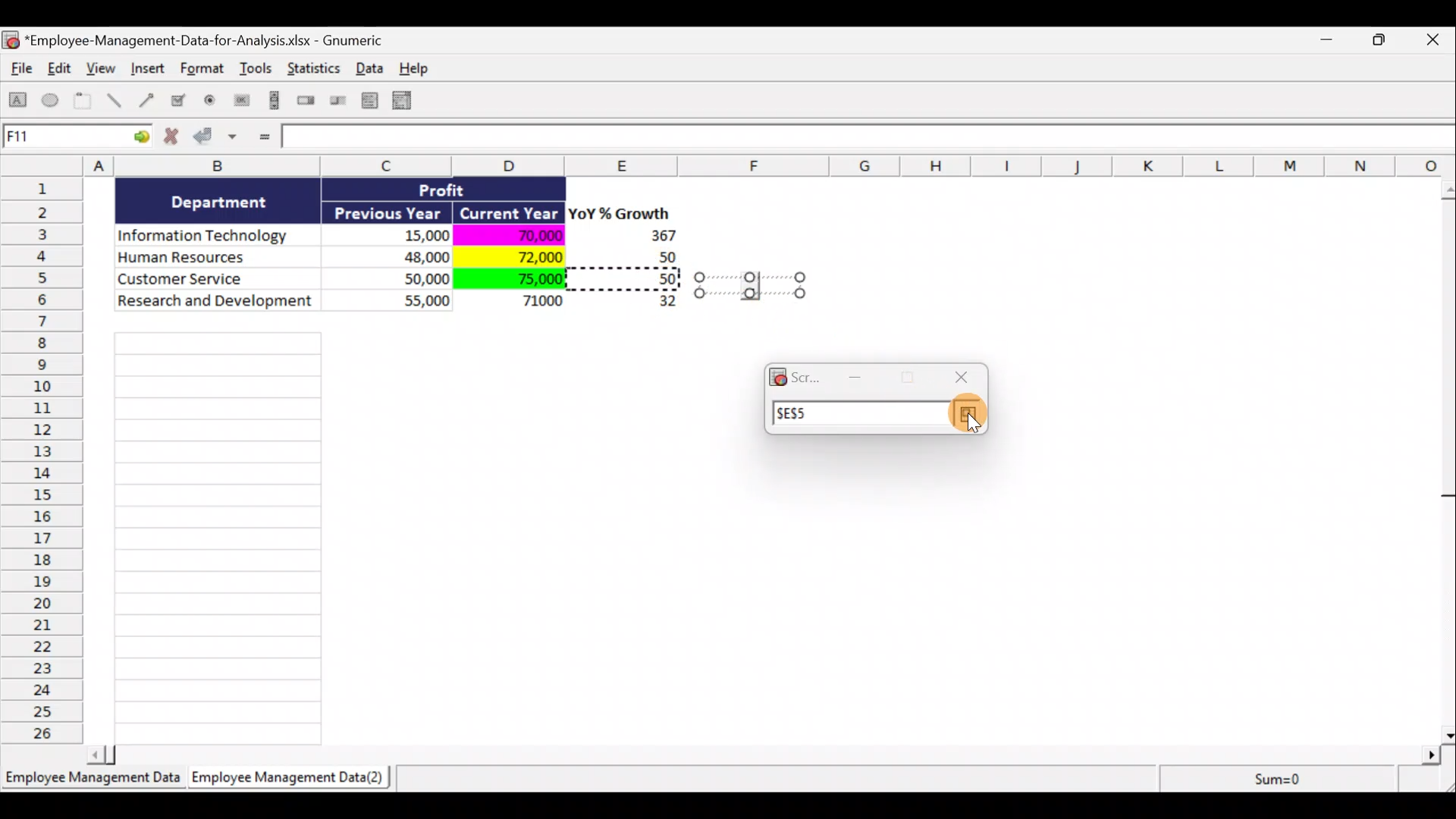  I want to click on Cancel change, so click(176, 140).